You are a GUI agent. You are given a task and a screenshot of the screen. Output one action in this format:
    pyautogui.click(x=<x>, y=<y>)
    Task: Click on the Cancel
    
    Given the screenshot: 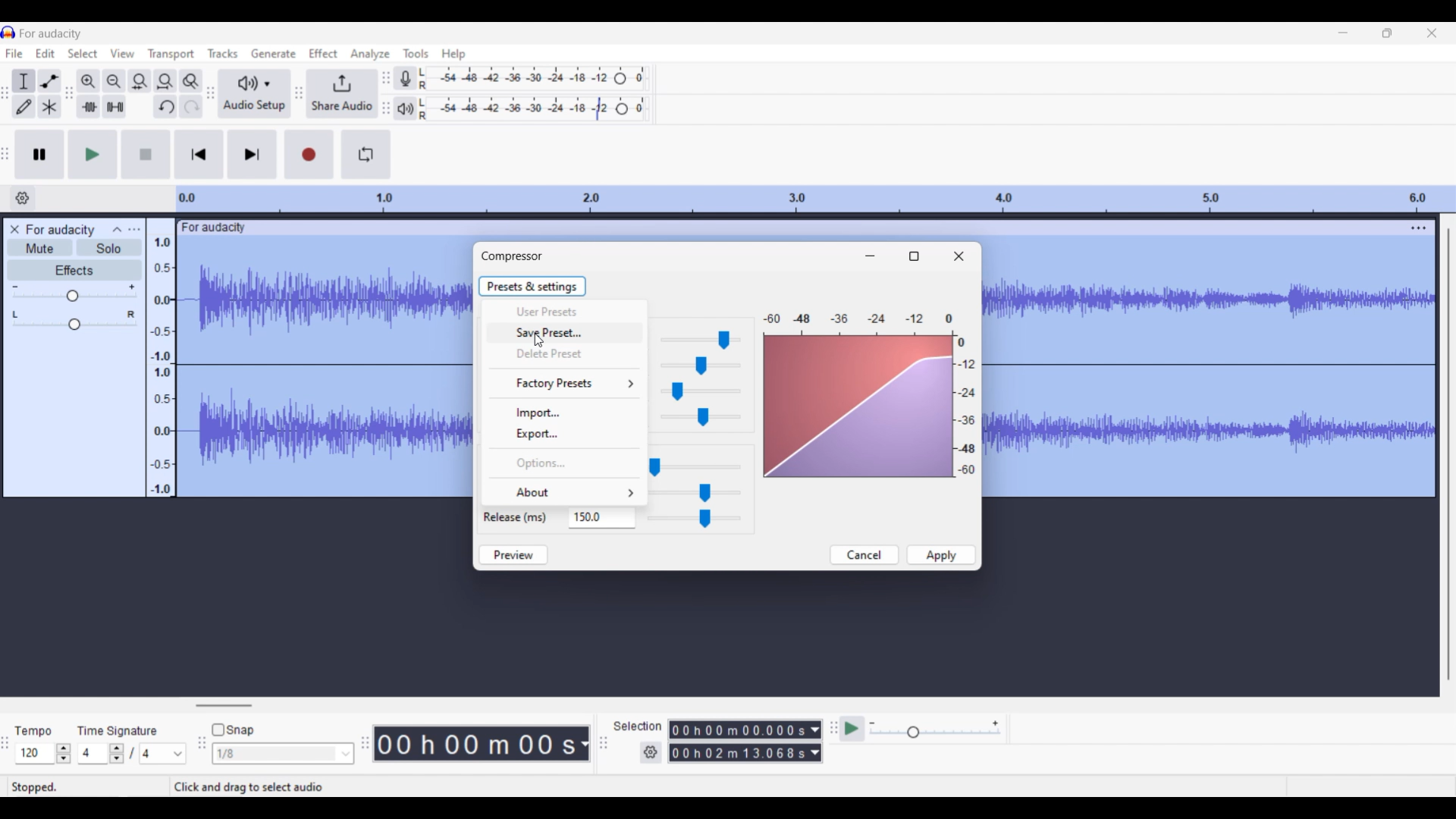 What is the action you would take?
    pyautogui.click(x=865, y=555)
    